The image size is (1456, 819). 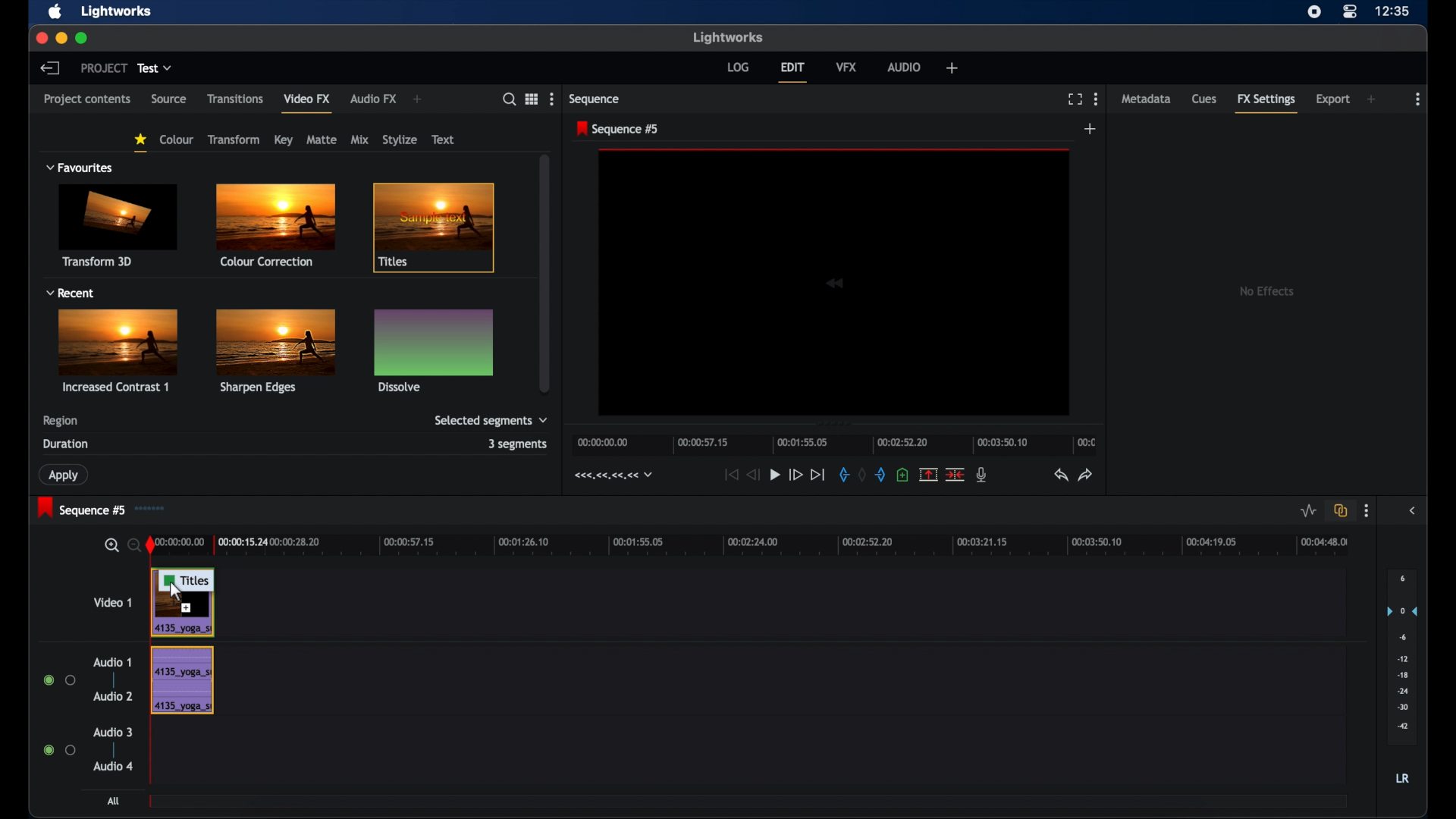 I want to click on source, so click(x=169, y=99).